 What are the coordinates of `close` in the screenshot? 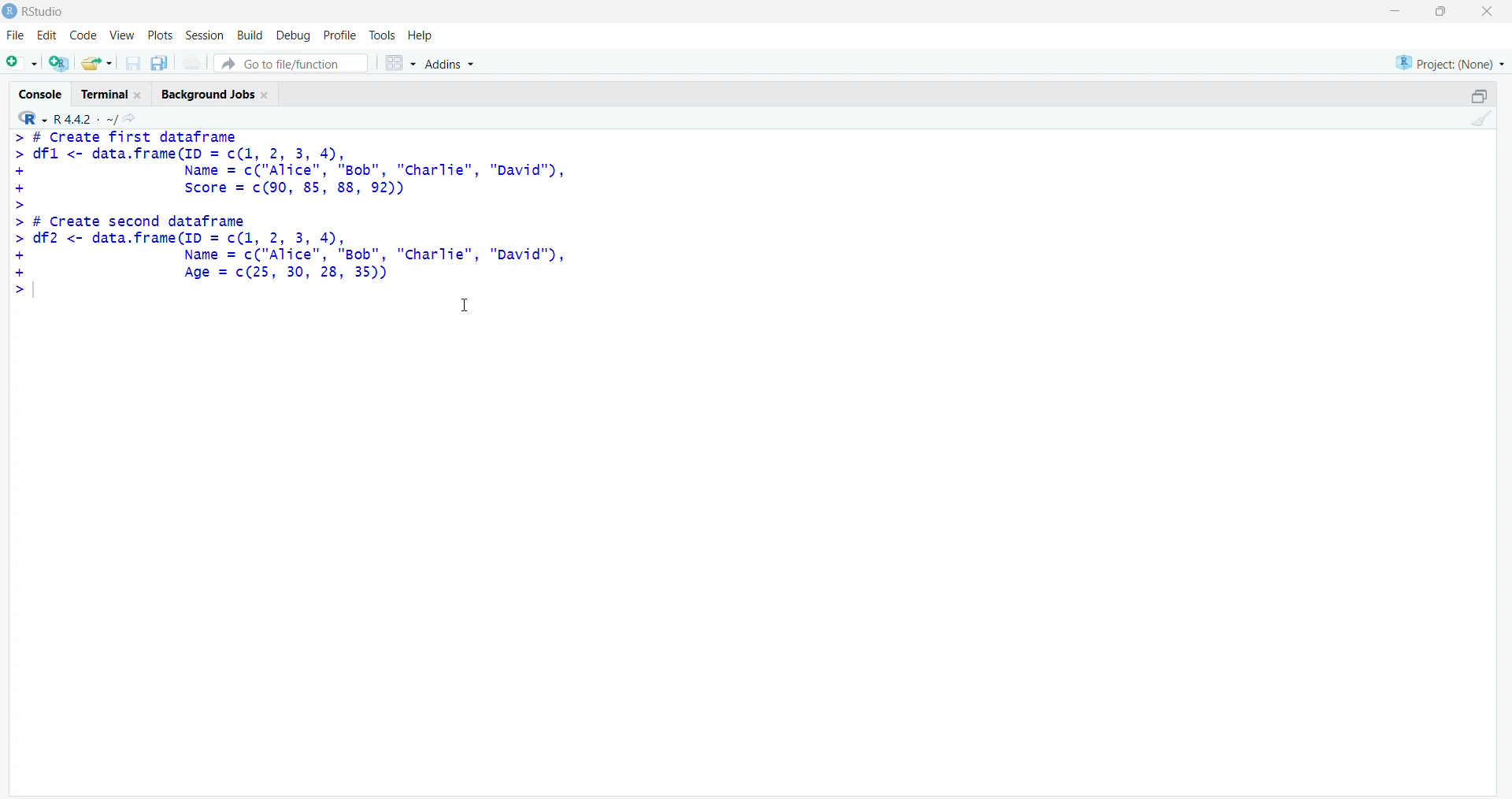 It's located at (1488, 11).